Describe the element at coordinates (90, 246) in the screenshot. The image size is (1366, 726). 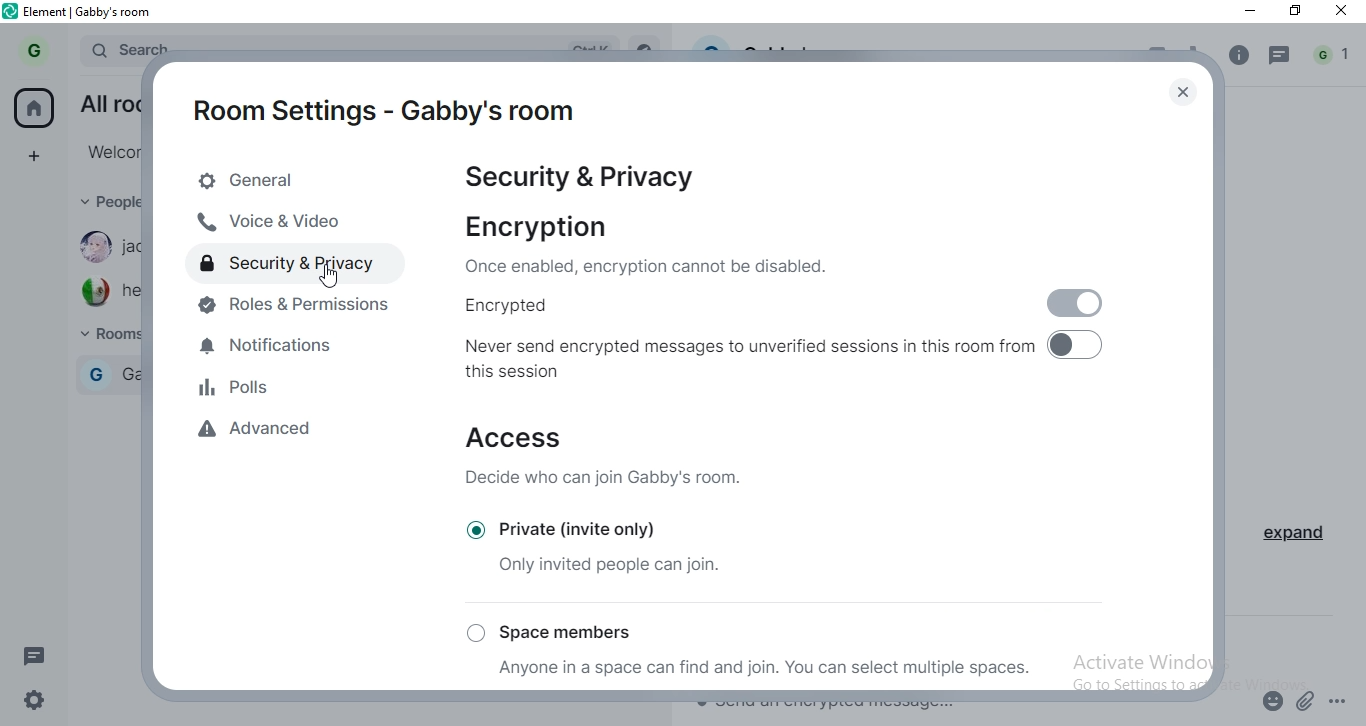
I see `Profile image` at that location.